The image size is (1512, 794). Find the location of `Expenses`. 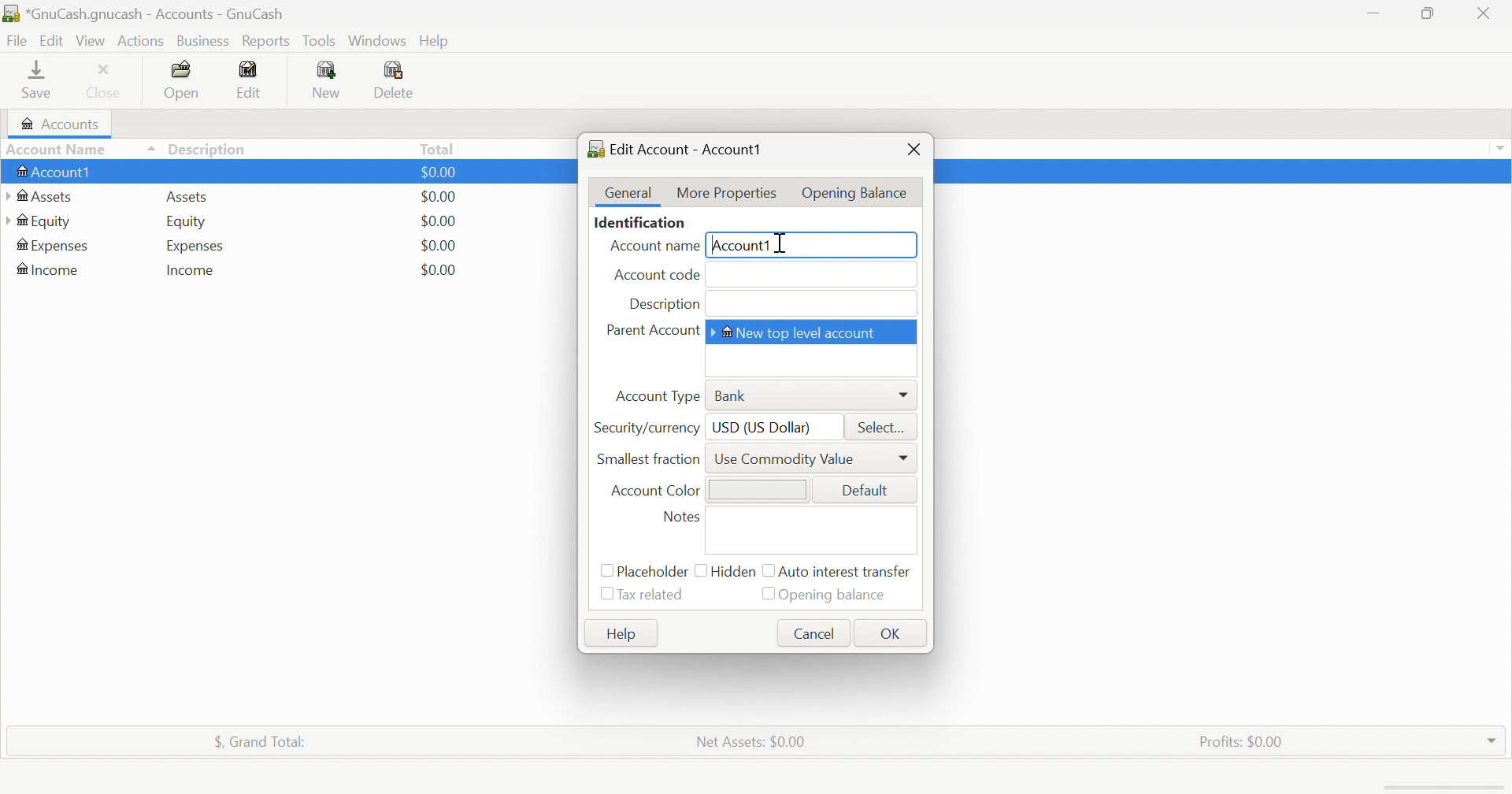

Expenses is located at coordinates (50, 246).